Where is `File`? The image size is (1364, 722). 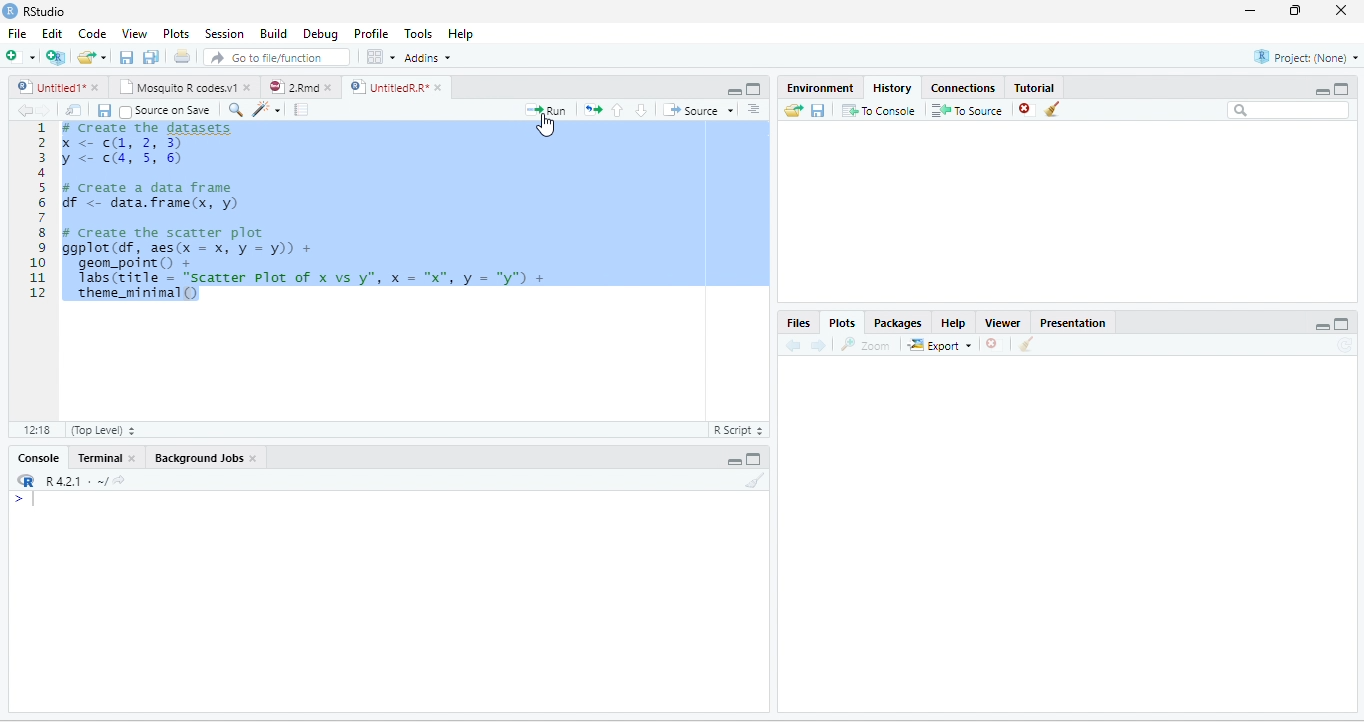 File is located at coordinates (18, 33).